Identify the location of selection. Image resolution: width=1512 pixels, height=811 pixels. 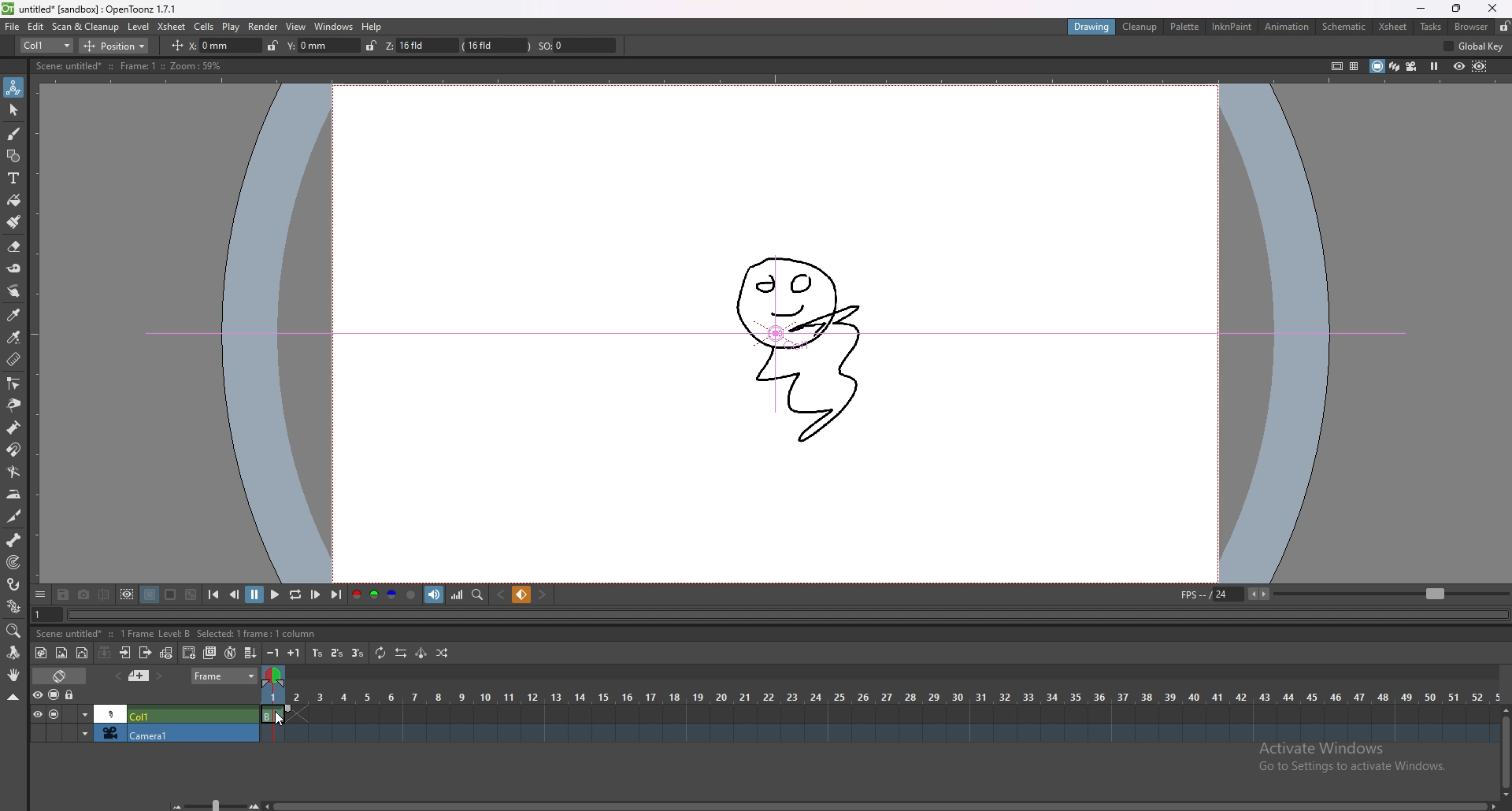
(14, 110).